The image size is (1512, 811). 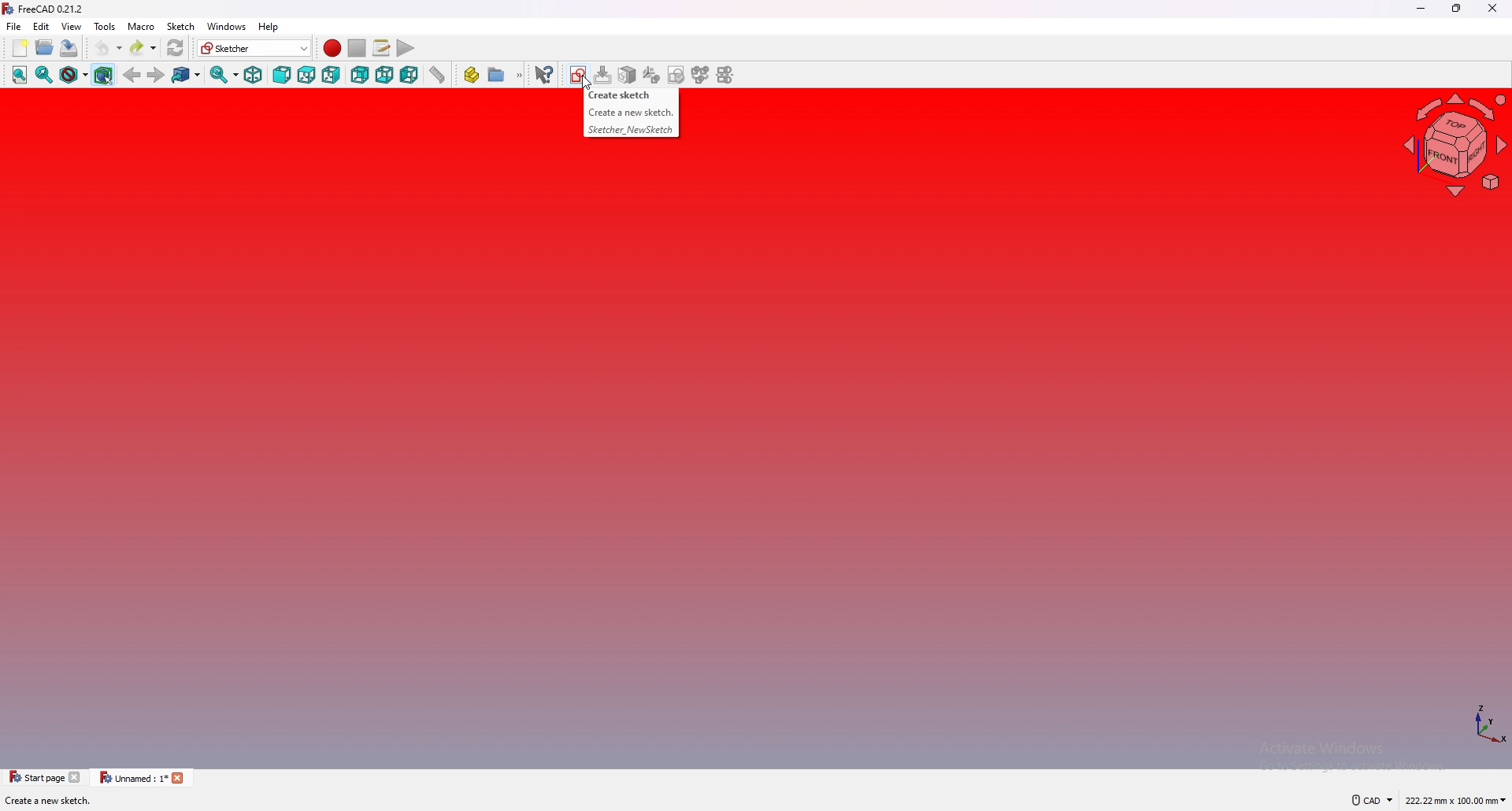 I want to click on merge sketch, so click(x=700, y=75).